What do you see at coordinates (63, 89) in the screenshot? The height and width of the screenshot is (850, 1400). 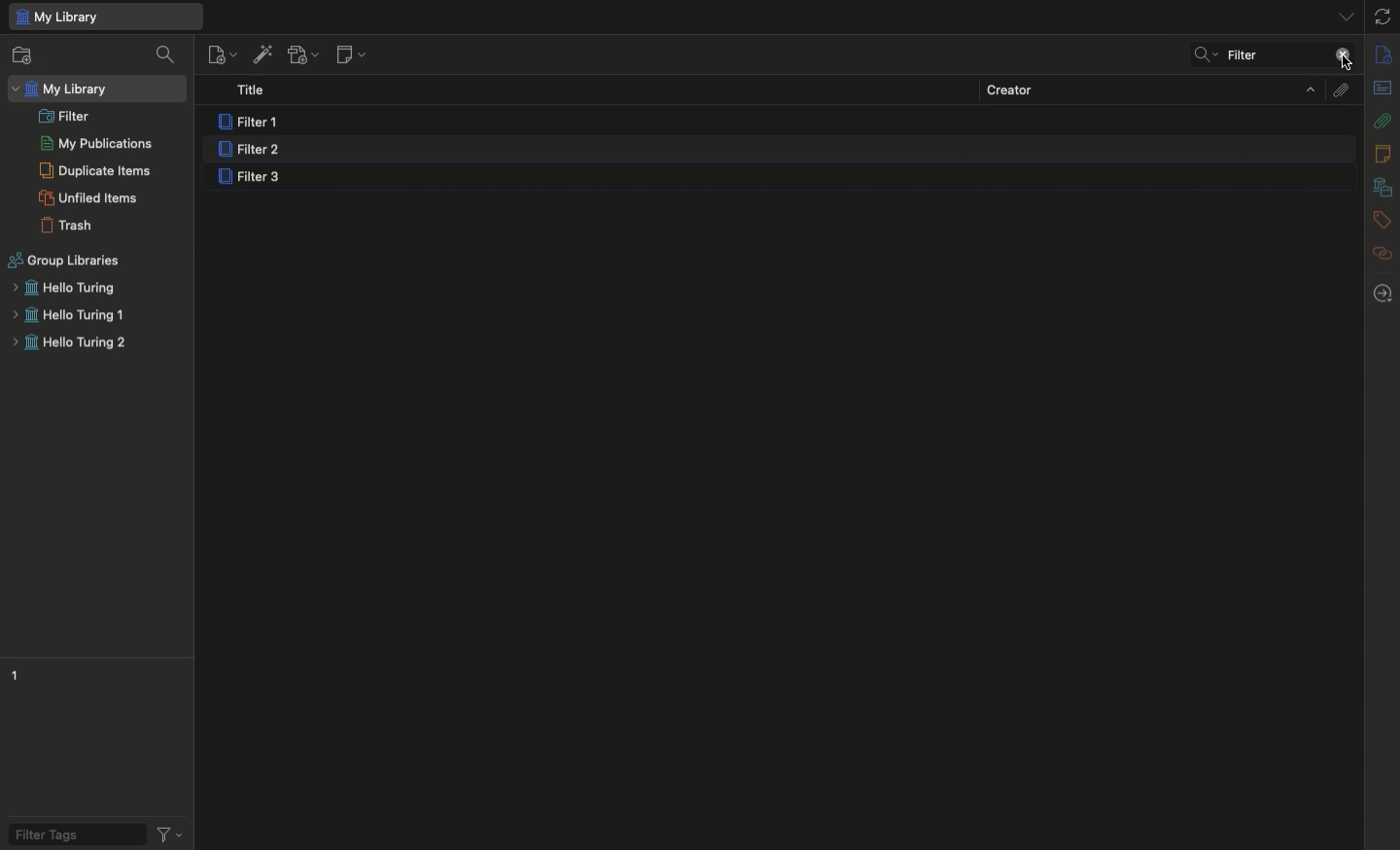 I see `My library` at bounding box center [63, 89].